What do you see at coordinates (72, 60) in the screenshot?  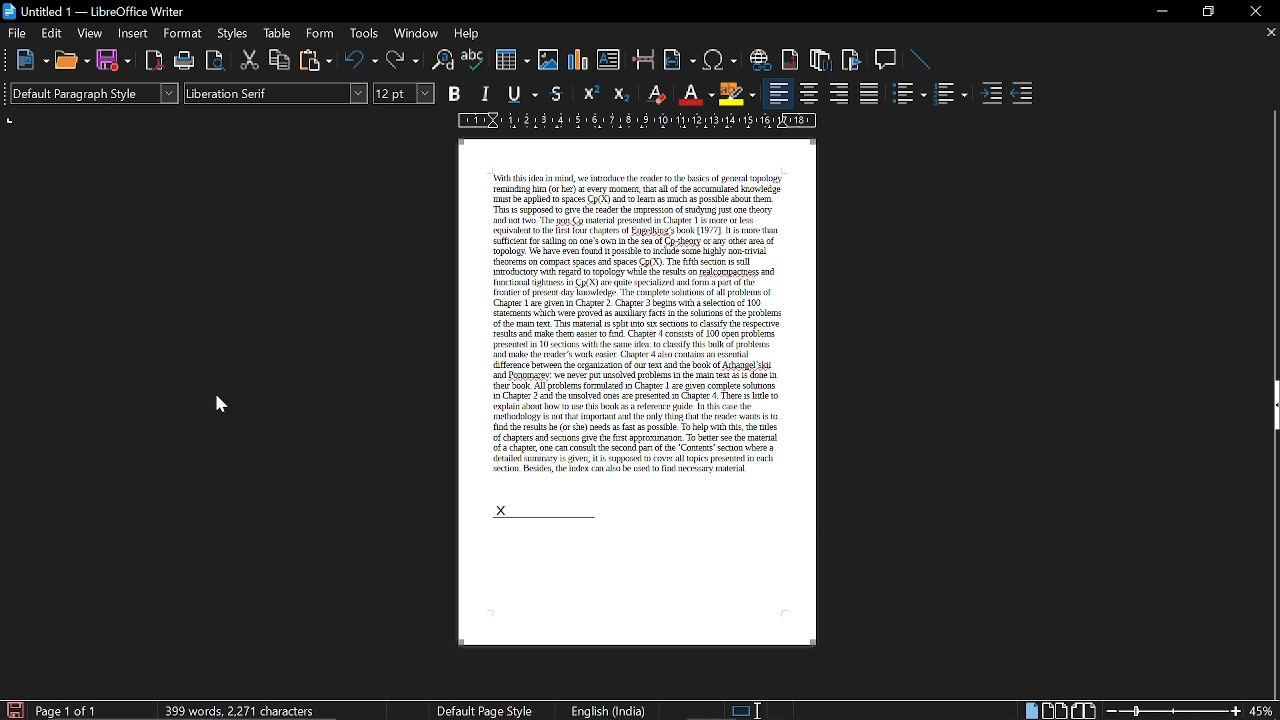 I see `open` at bounding box center [72, 60].